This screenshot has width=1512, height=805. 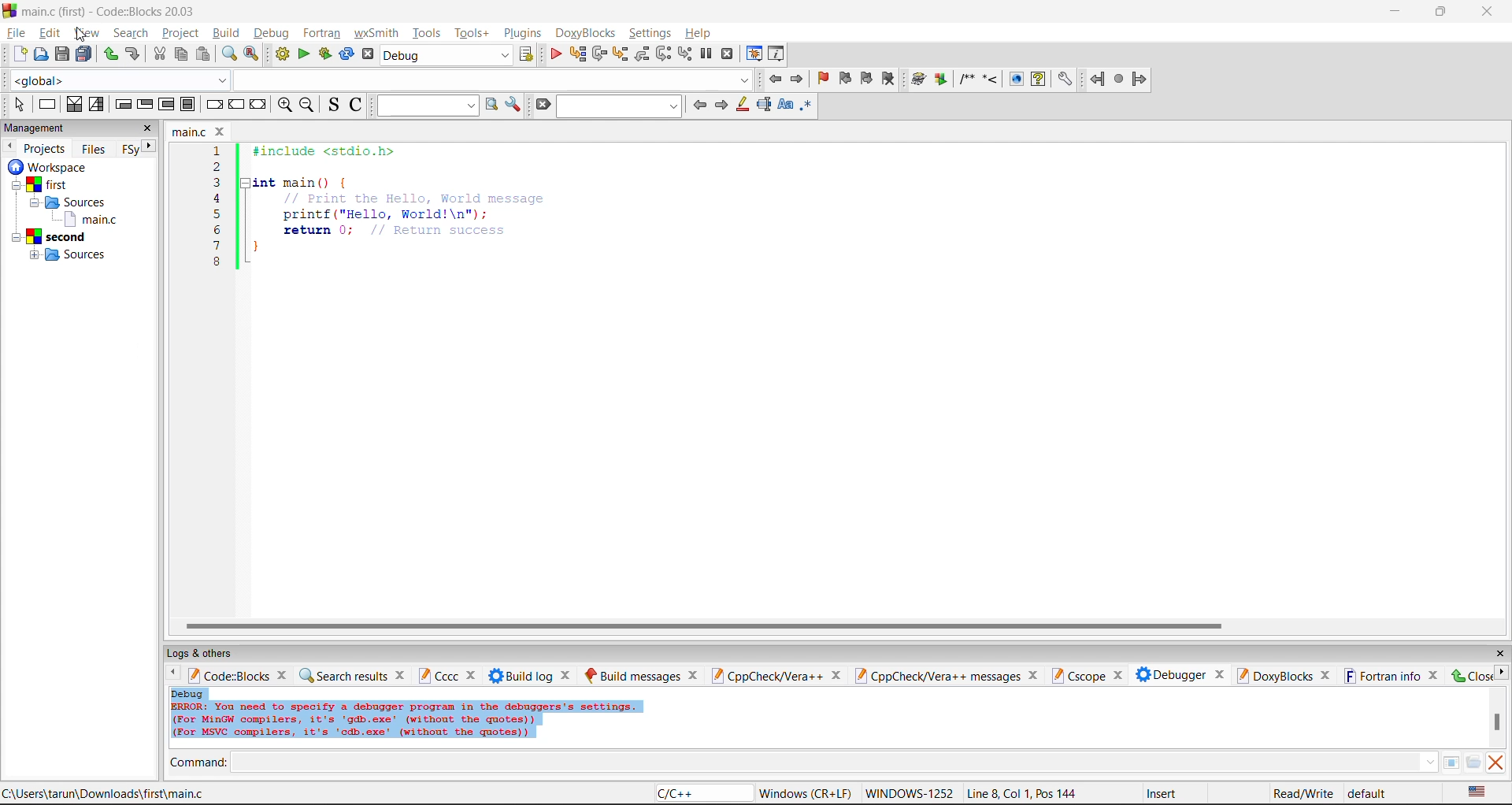 I want to click on search results, so click(x=353, y=677).